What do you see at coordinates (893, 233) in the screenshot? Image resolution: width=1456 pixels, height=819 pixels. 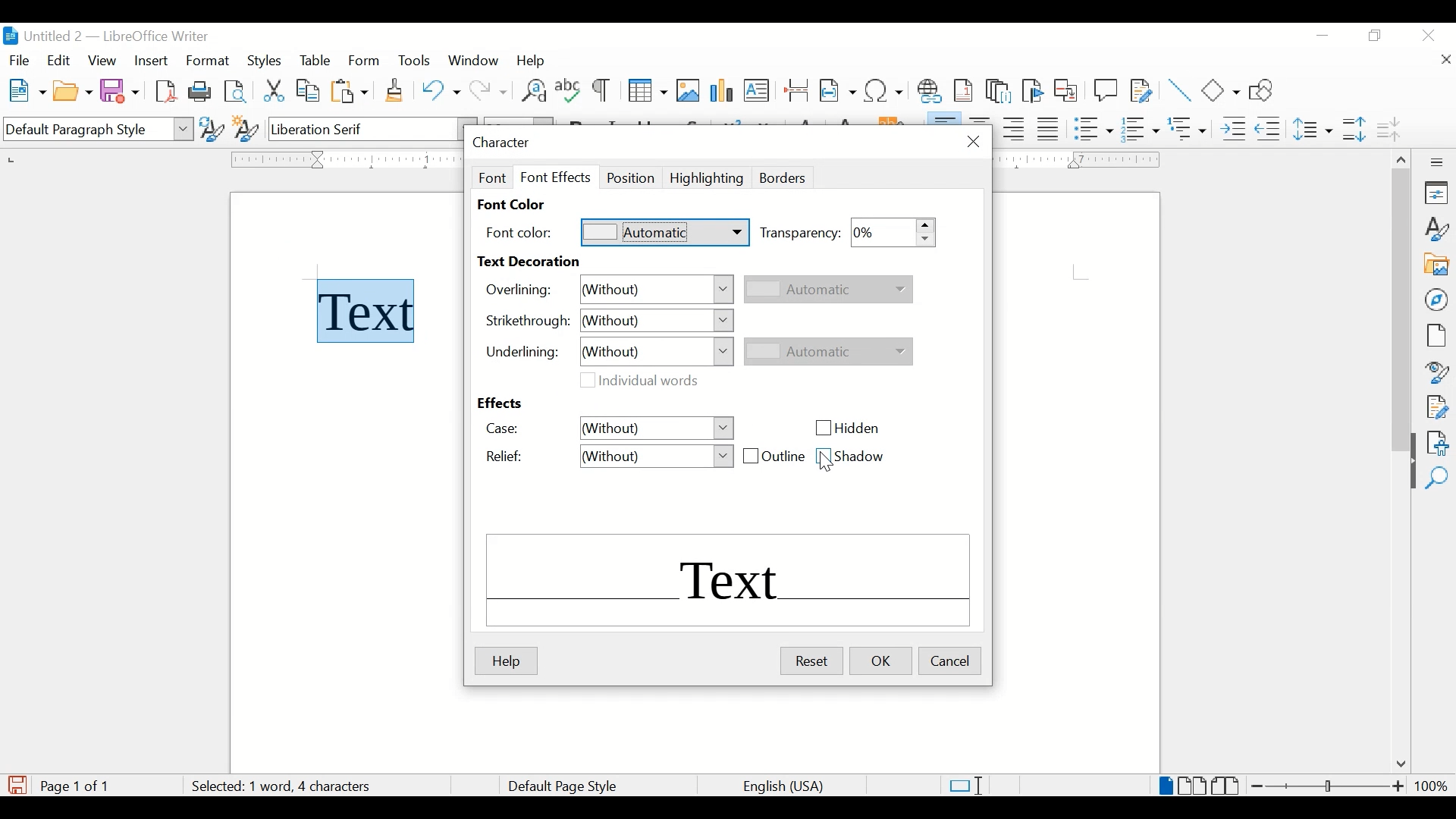 I see `transparency stepper button` at bounding box center [893, 233].